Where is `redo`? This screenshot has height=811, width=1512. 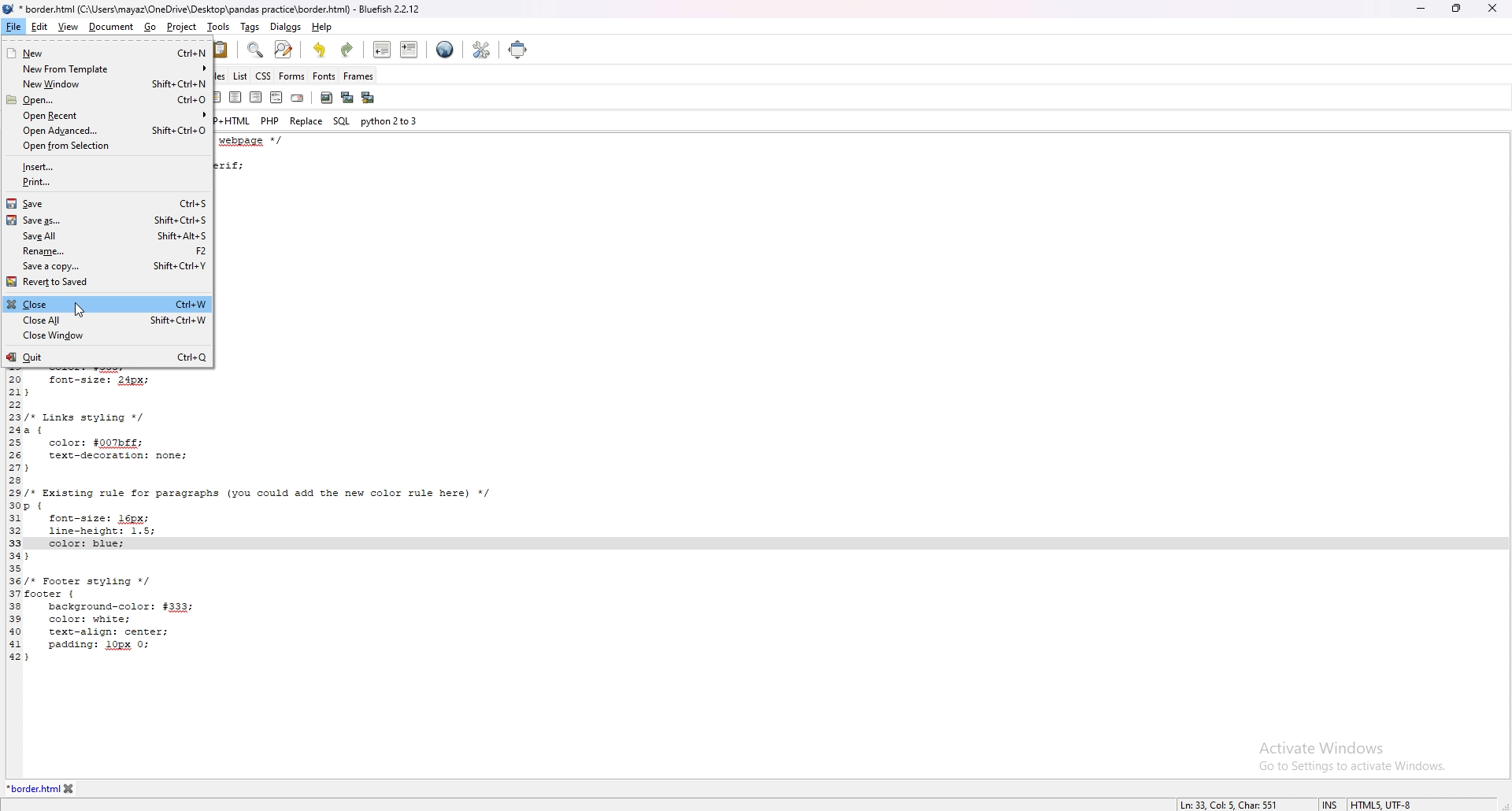
redo is located at coordinates (347, 48).